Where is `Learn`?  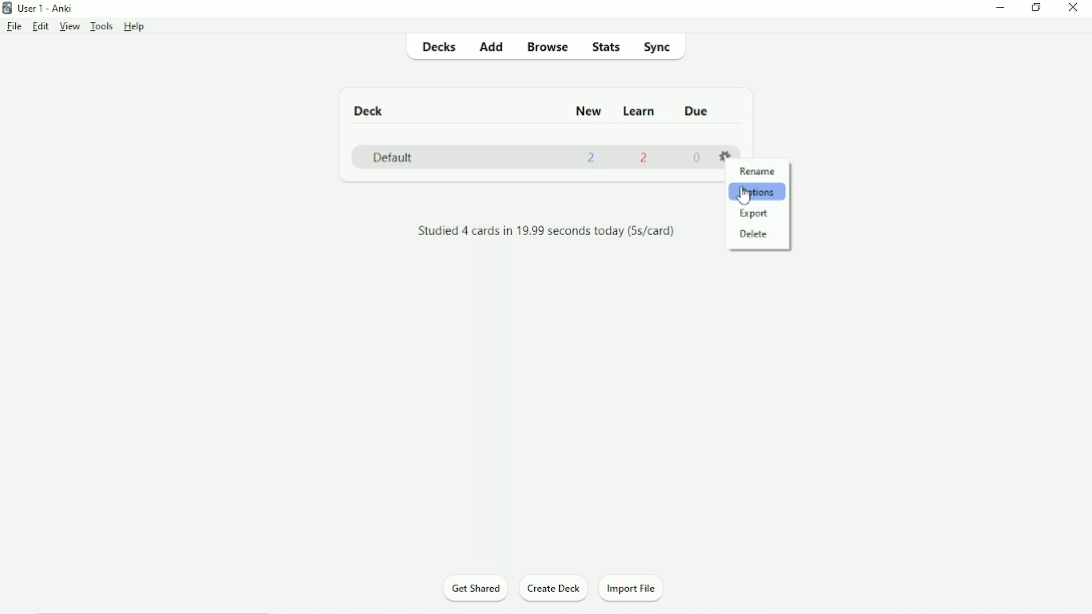 Learn is located at coordinates (640, 111).